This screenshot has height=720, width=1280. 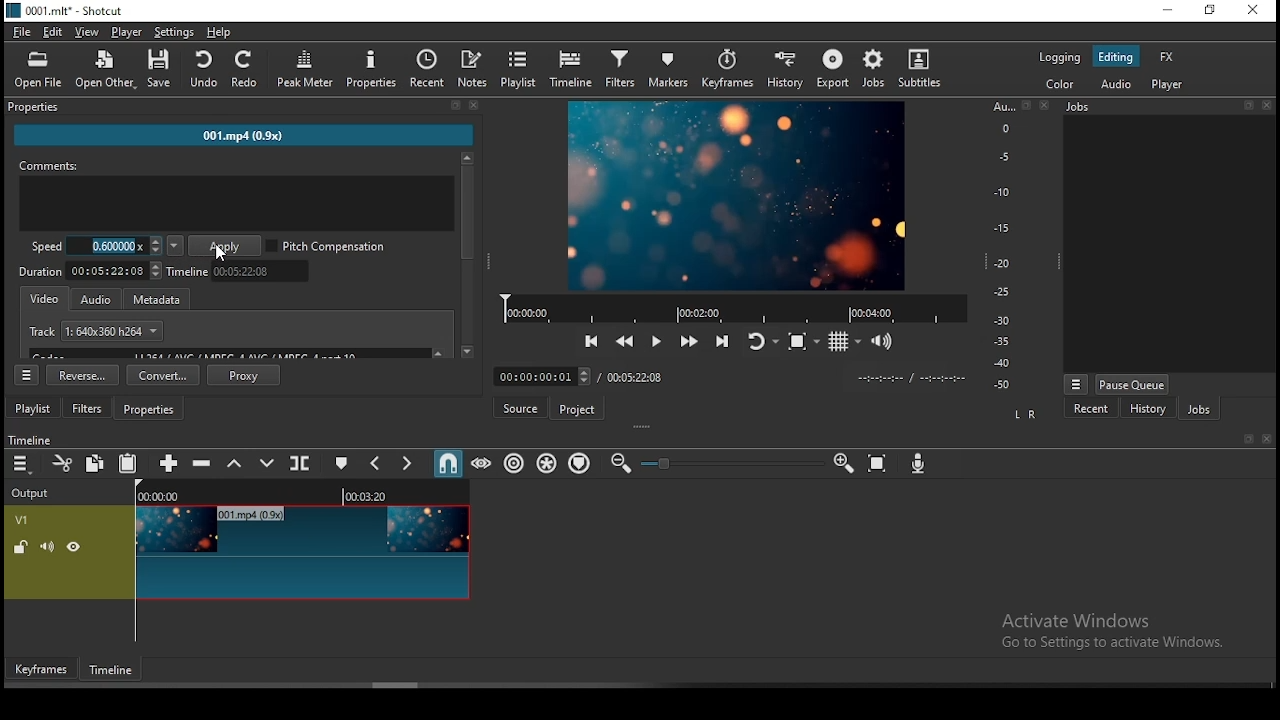 What do you see at coordinates (1167, 58) in the screenshot?
I see `fx` at bounding box center [1167, 58].